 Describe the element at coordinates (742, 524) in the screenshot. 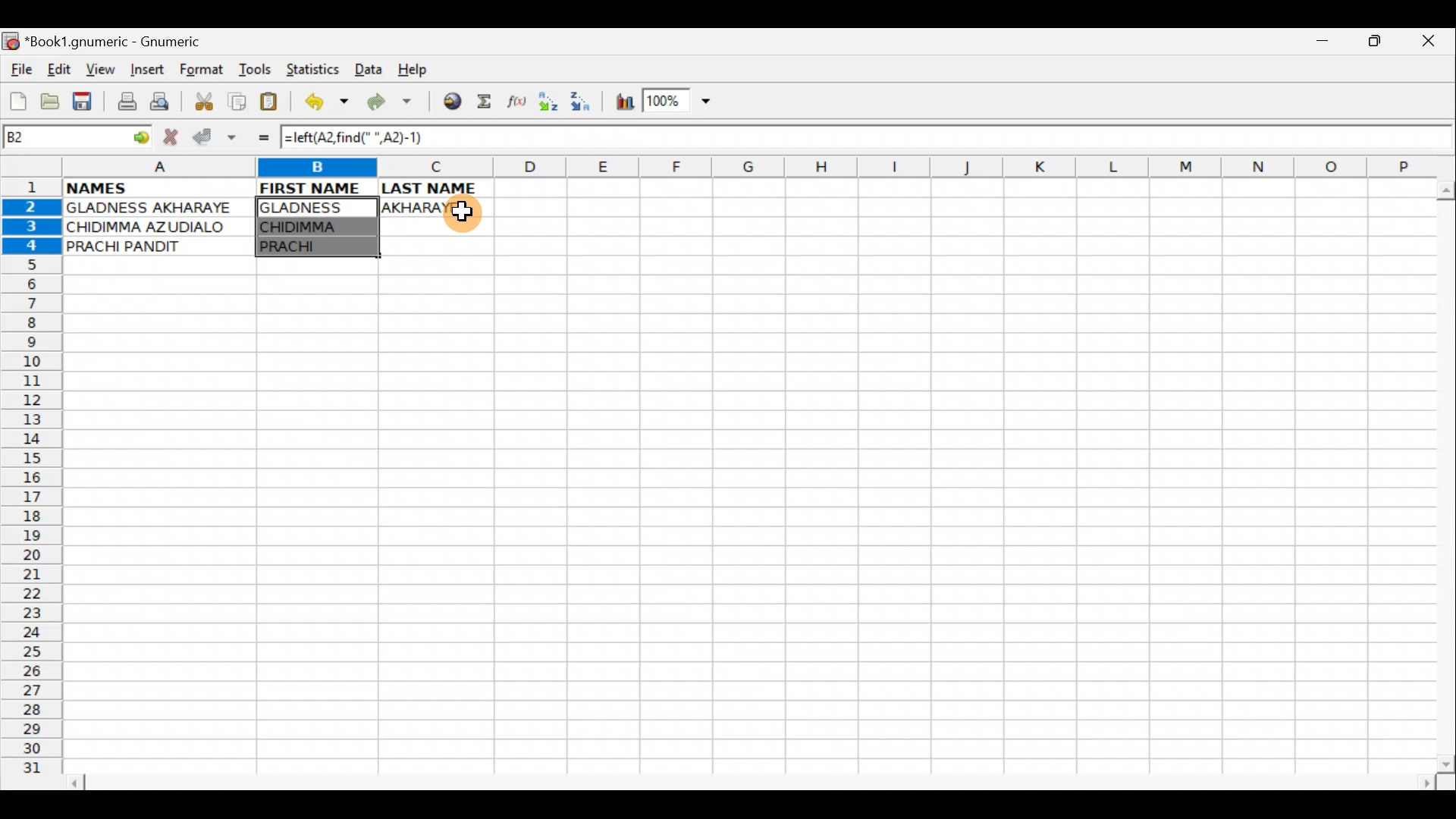

I see `Cells` at that location.